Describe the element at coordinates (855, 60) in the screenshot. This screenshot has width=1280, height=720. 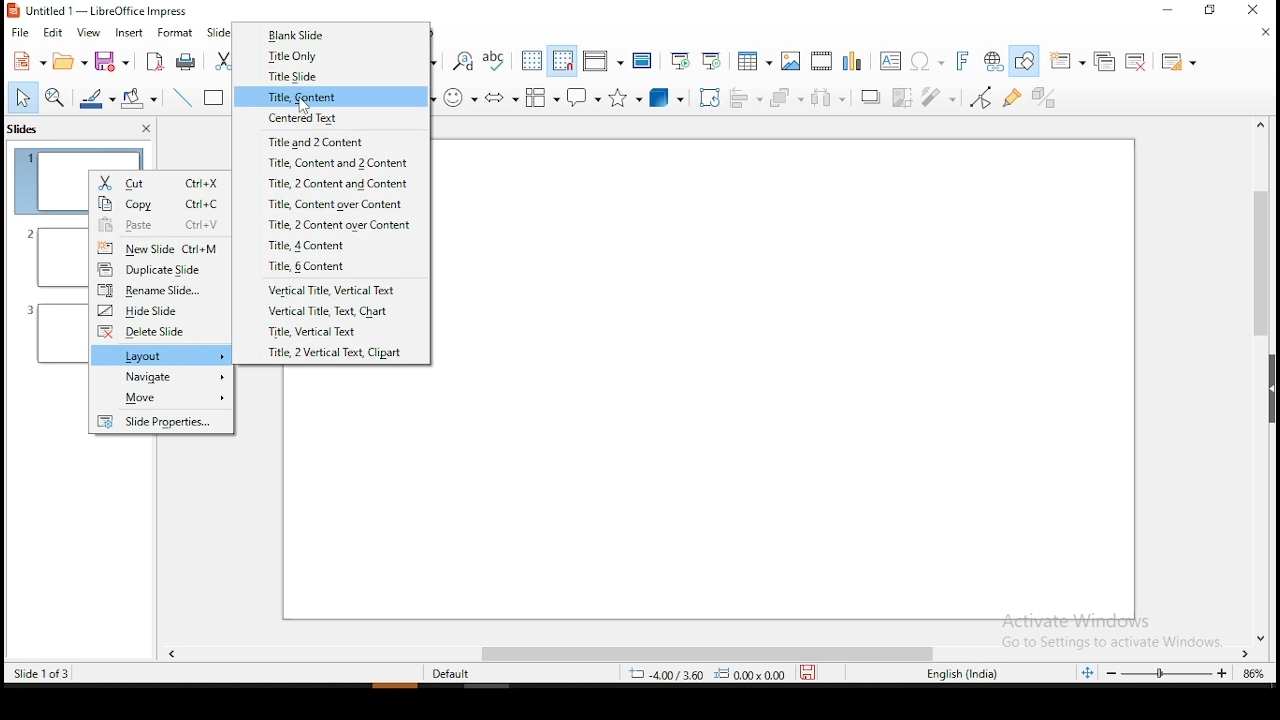
I see `insert chart` at that location.